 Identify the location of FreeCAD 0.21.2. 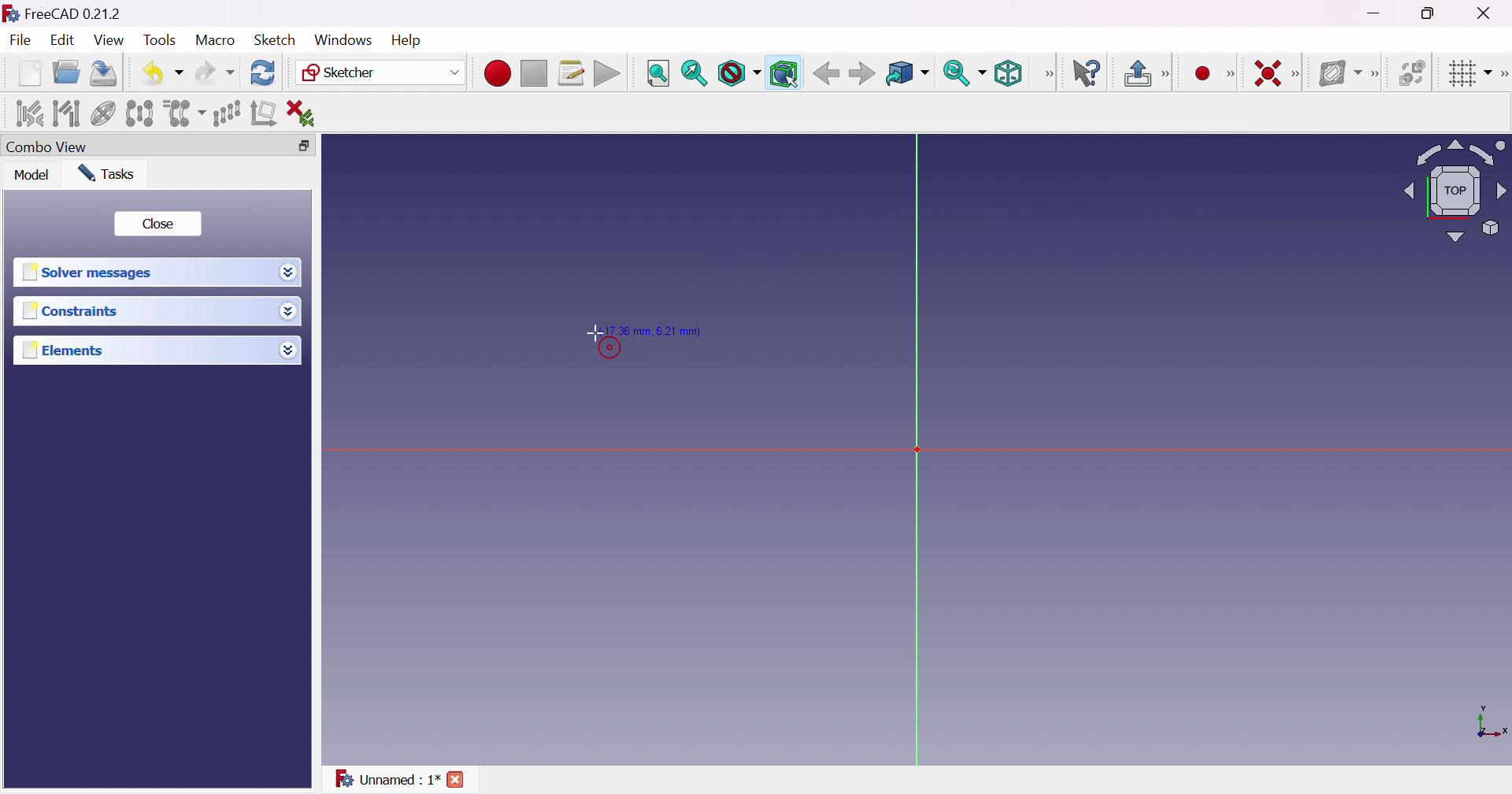
(74, 13).